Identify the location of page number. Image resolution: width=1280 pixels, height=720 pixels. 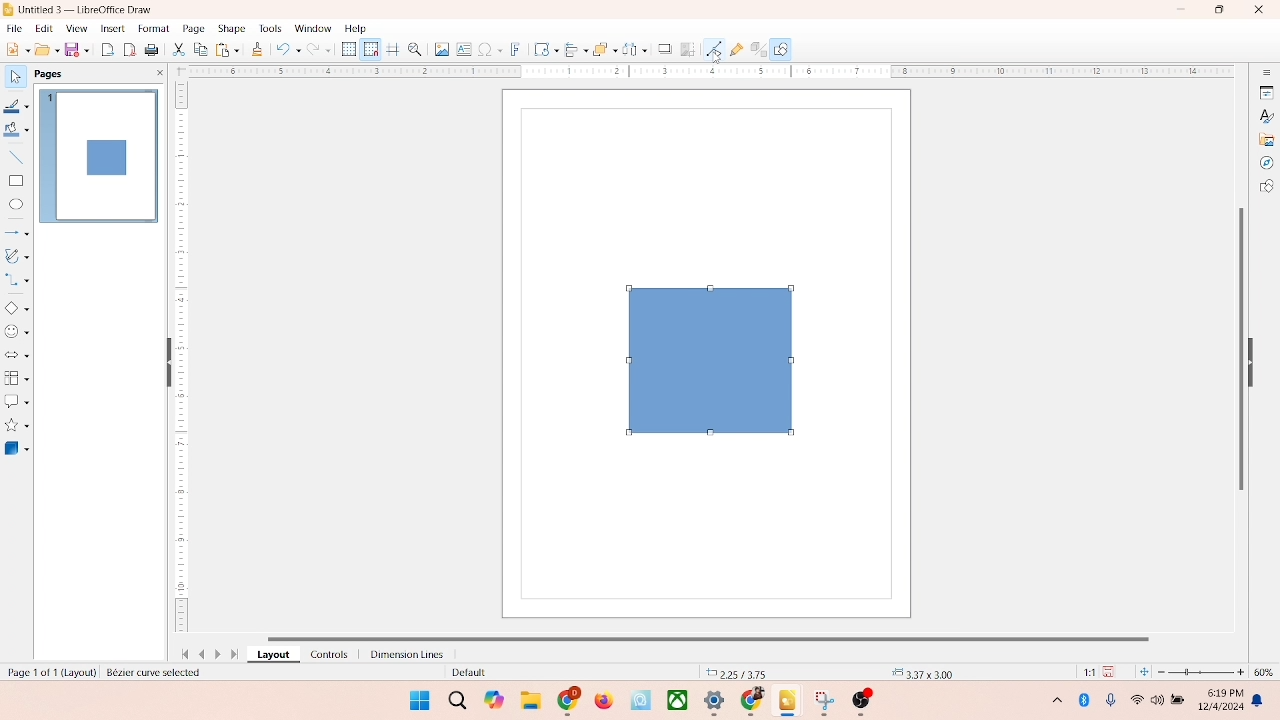
(49, 671).